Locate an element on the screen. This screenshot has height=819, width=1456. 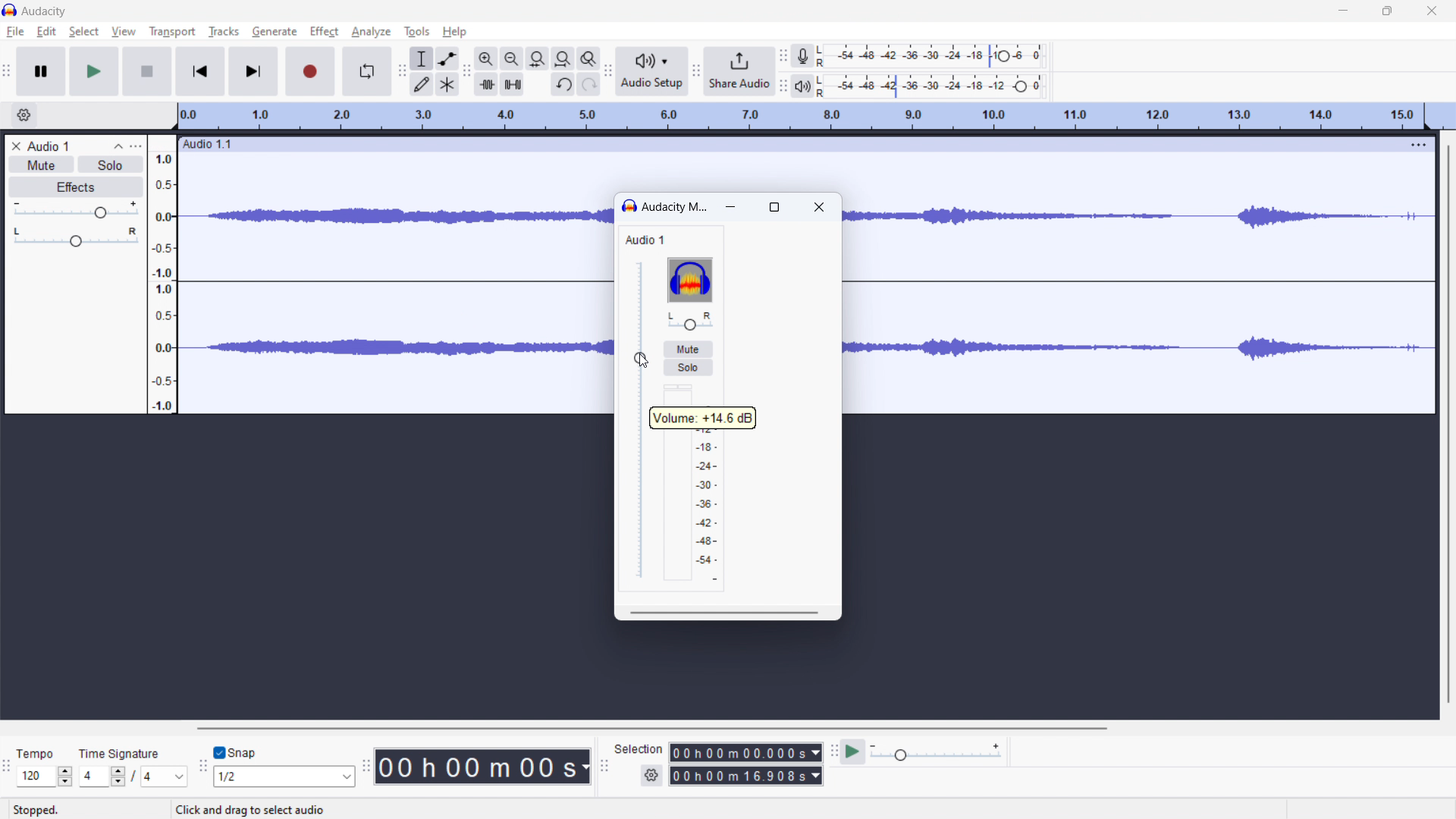
mute is located at coordinates (687, 349).